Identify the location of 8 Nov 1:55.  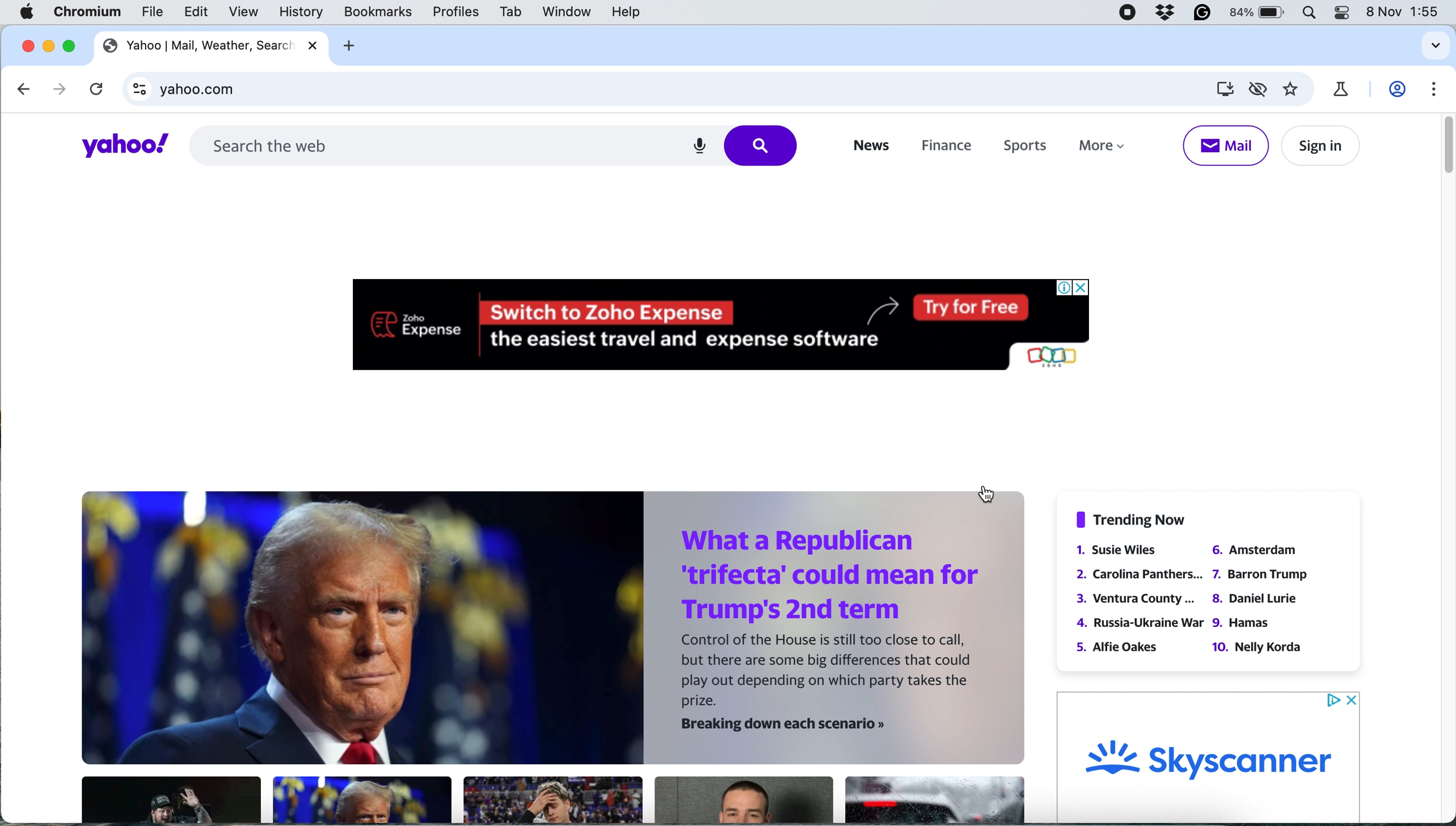
(1406, 15).